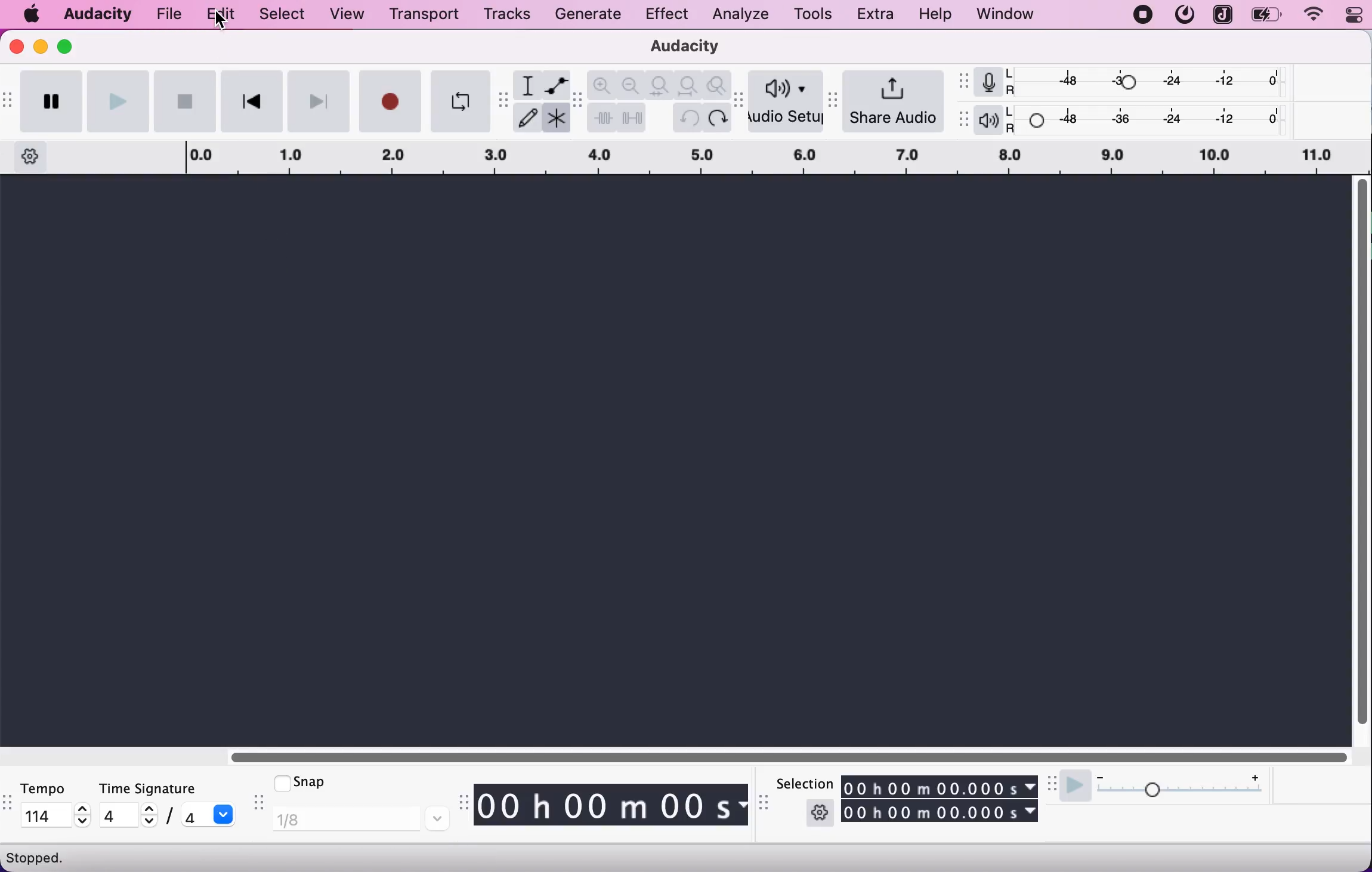 The width and height of the screenshot is (1372, 872). Describe the element at coordinates (1053, 784) in the screenshot. I see `audacity play at speed toolbar` at that location.